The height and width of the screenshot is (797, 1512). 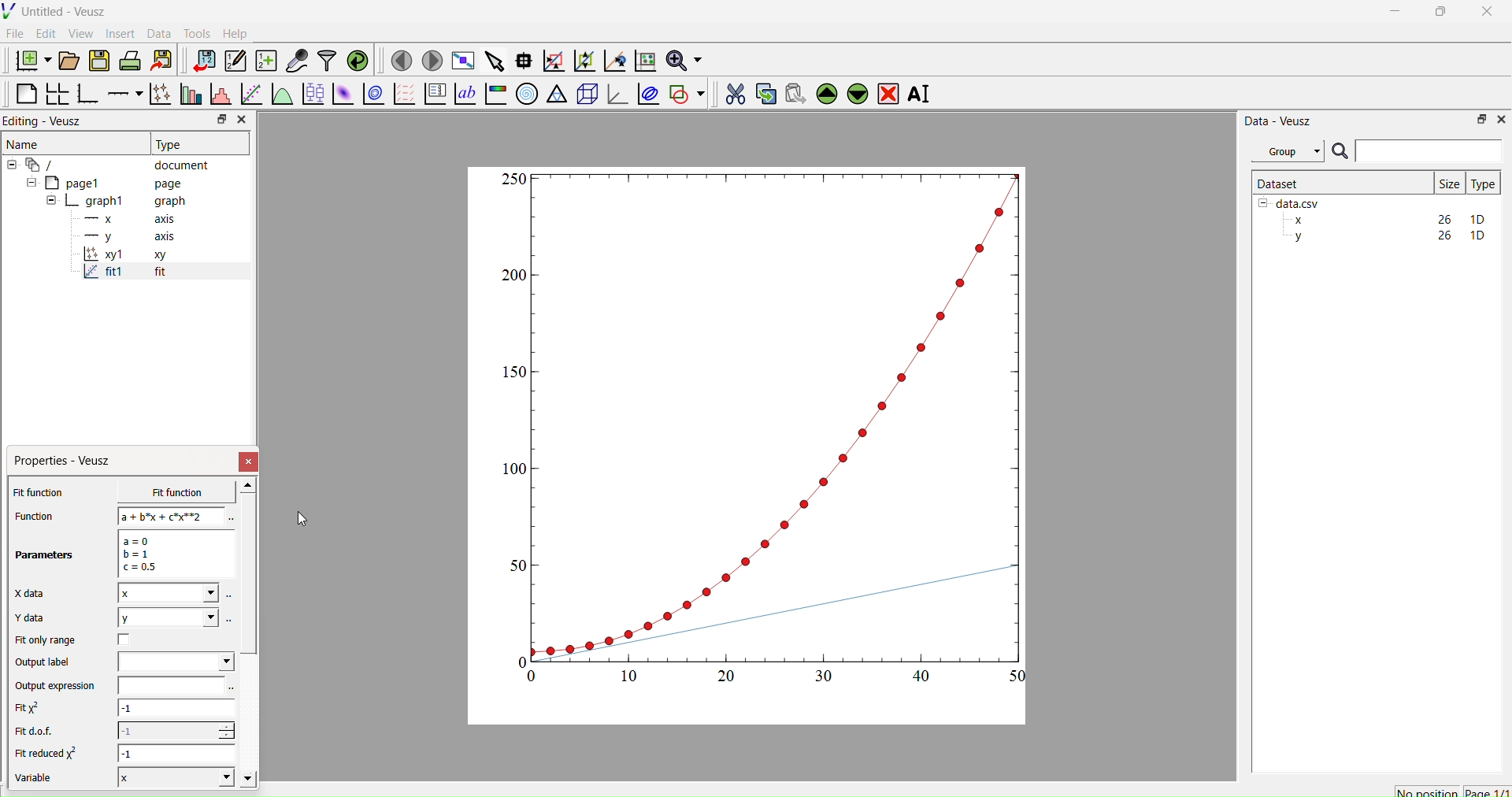 What do you see at coordinates (194, 32) in the screenshot?
I see `Tools` at bounding box center [194, 32].